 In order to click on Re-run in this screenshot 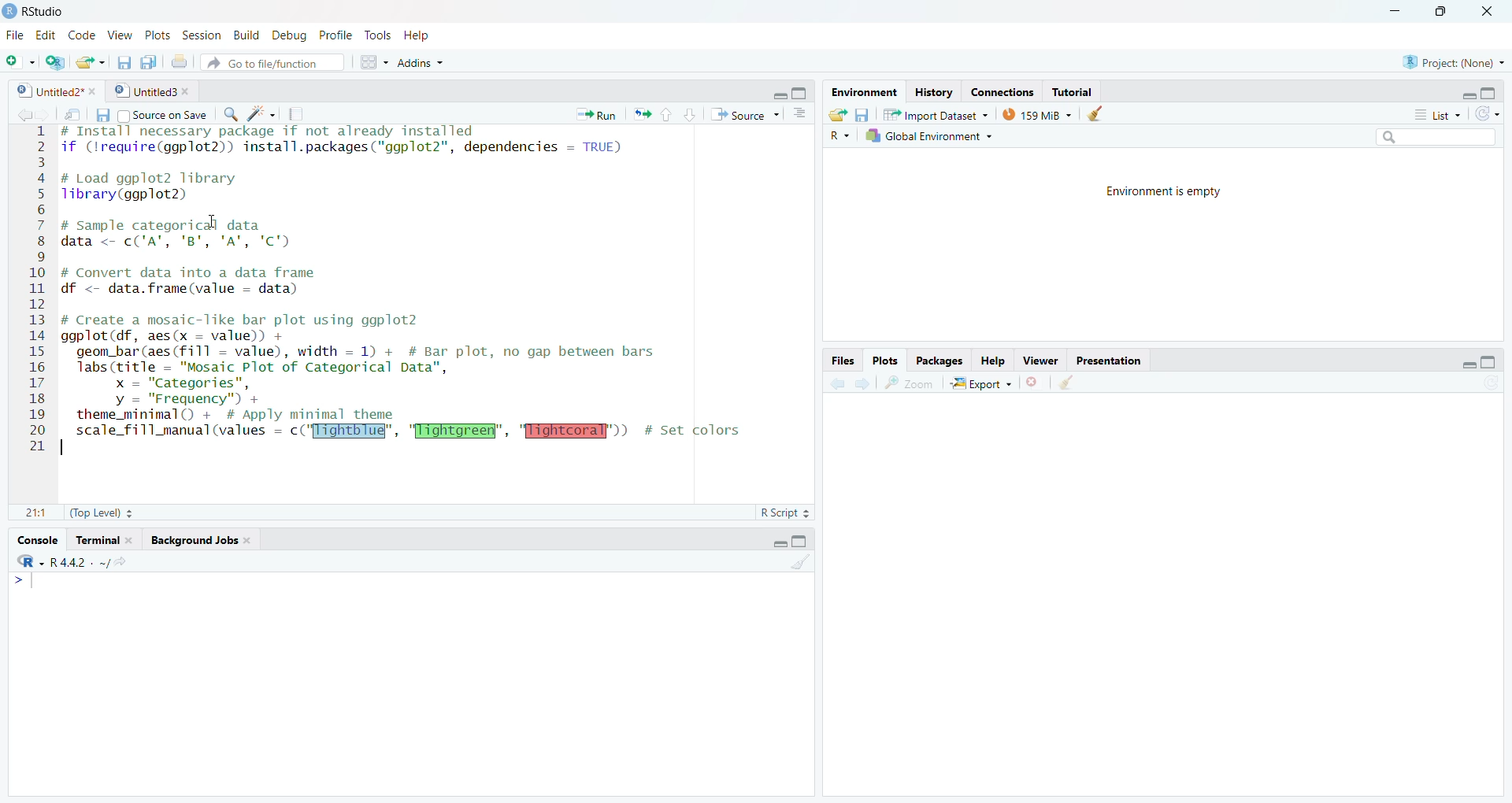, I will do `click(641, 115)`.